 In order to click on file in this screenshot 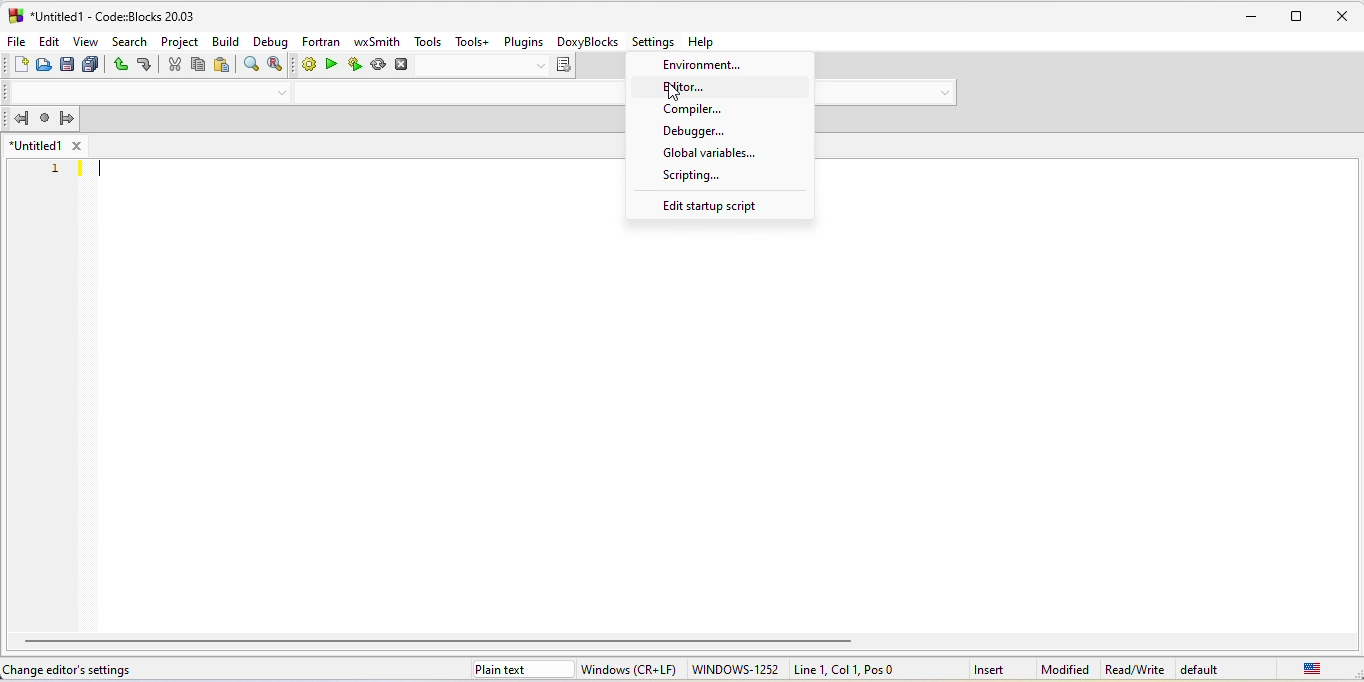, I will do `click(14, 41)`.